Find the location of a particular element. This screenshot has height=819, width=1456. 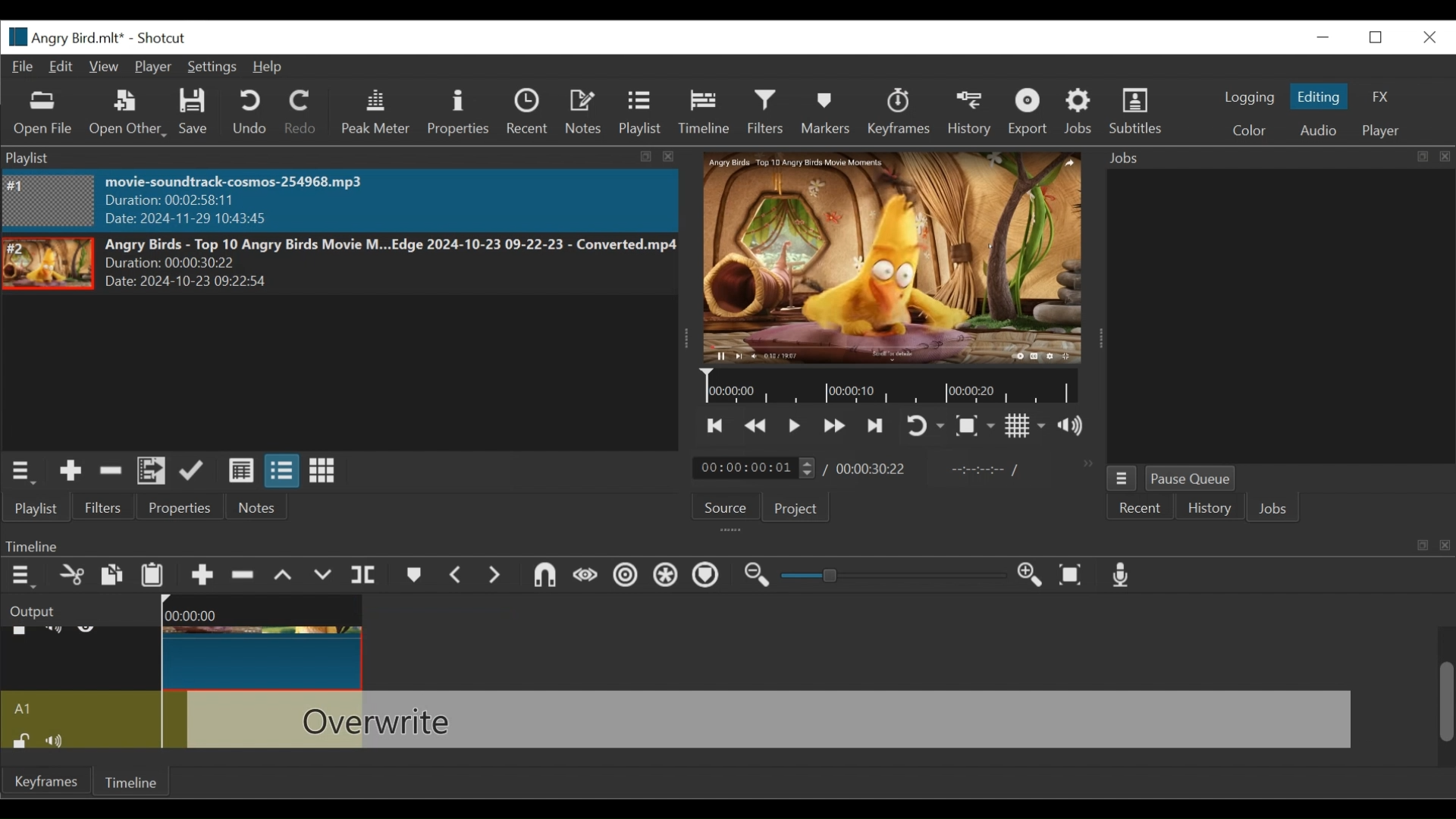

Toggle display grid on the player is located at coordinates (1026, 427).